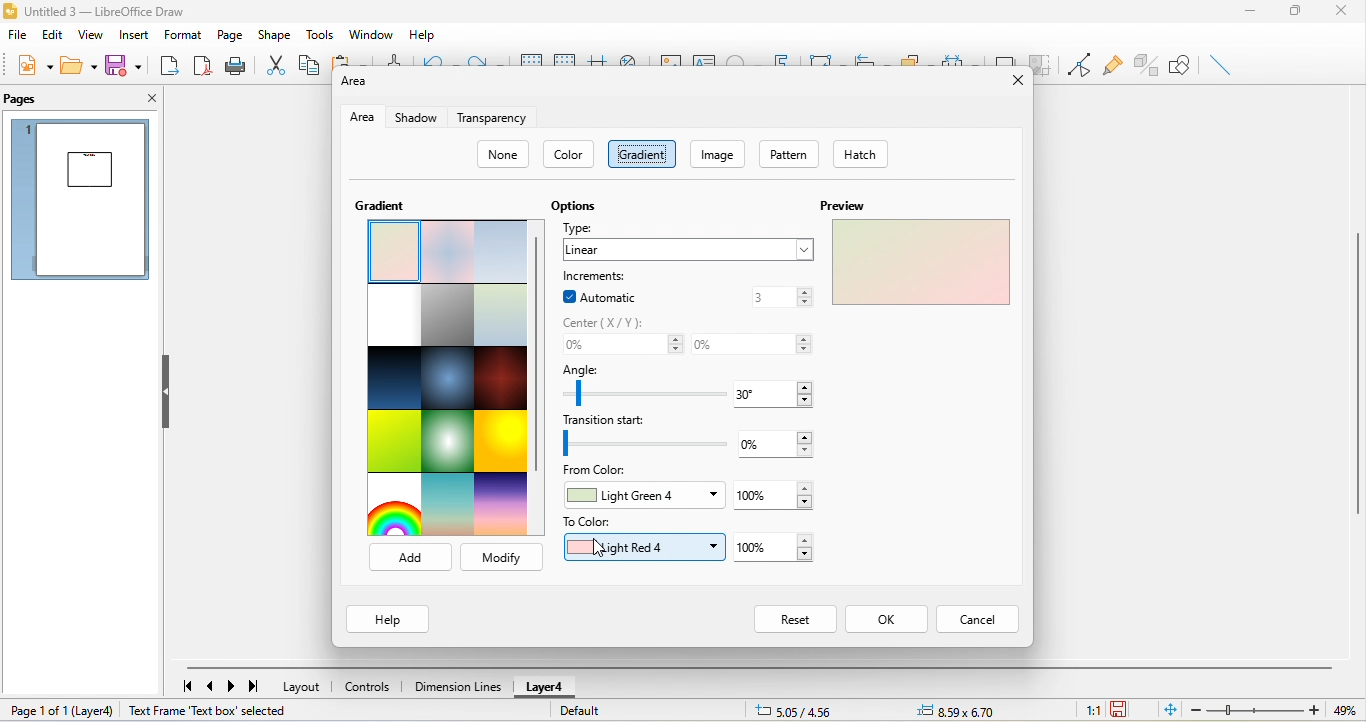 The width and height of the screenshot is (1366, 722). I want to click on tools, so click(323, 36).